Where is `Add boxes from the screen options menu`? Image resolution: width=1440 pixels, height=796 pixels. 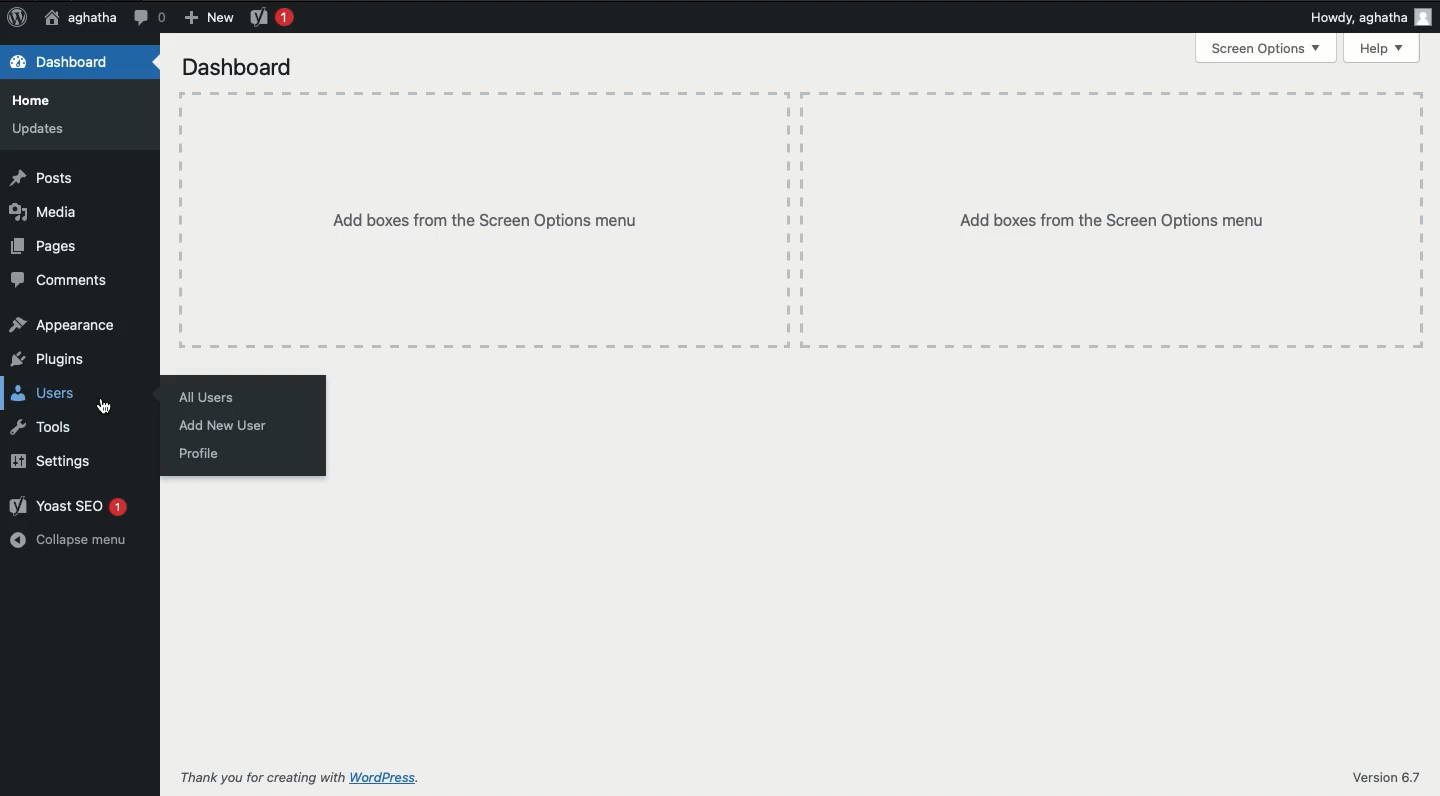 Add boxes from the screen options menu is located at coordinates (1112, 221).